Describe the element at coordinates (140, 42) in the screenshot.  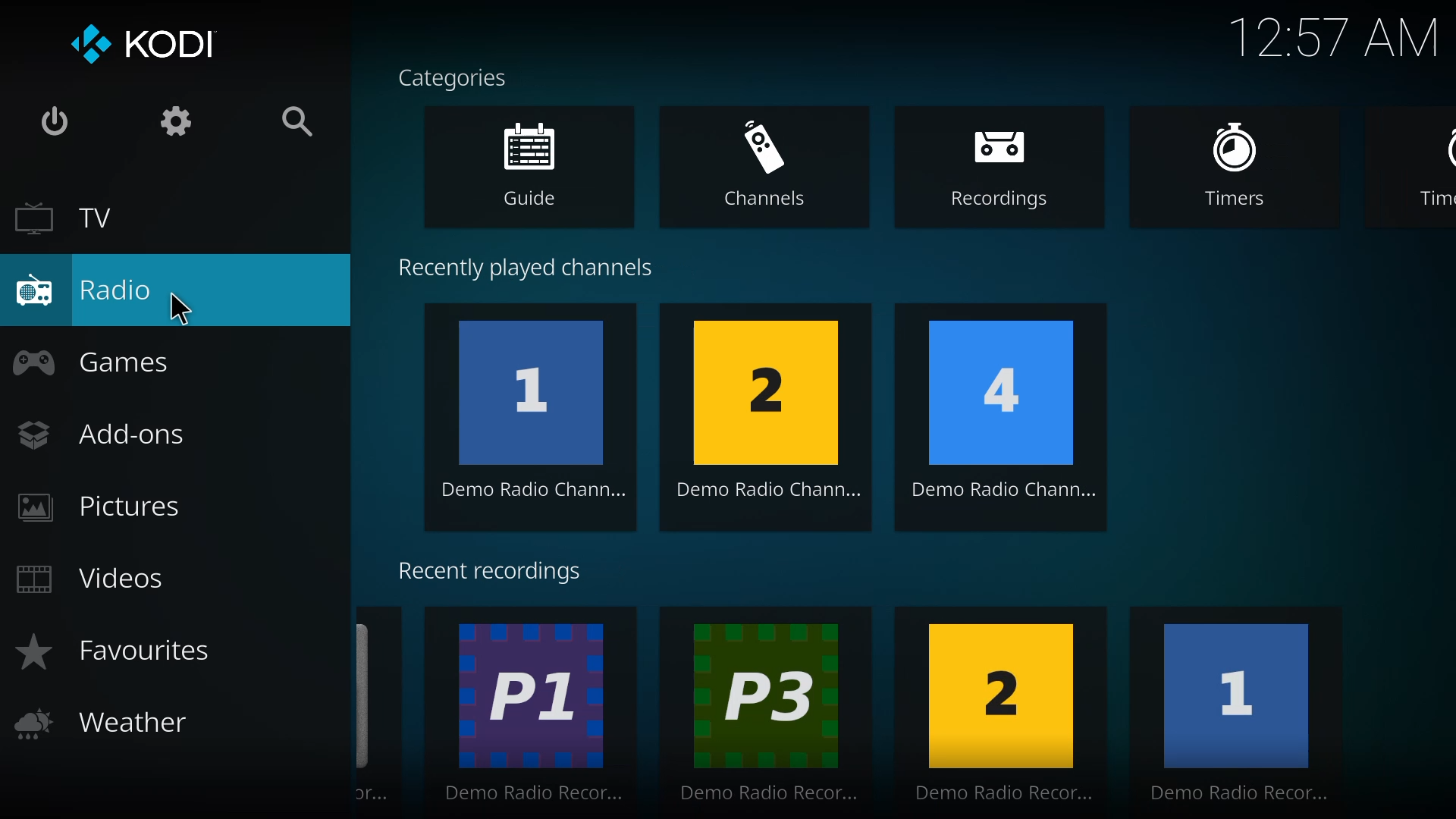
I see `kodi` at that location.